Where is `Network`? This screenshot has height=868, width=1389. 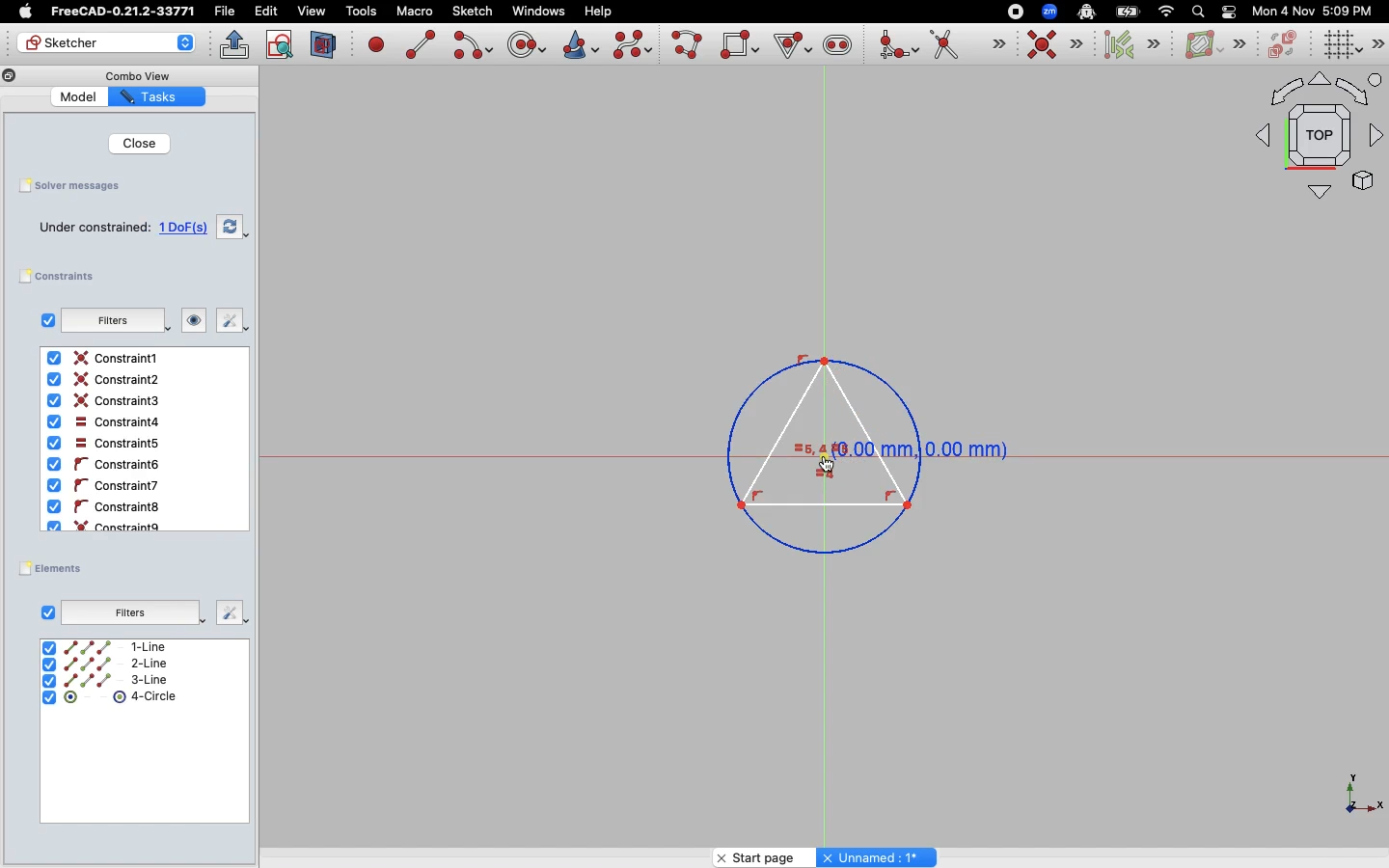
Network is located at coordinates (1167, 12).